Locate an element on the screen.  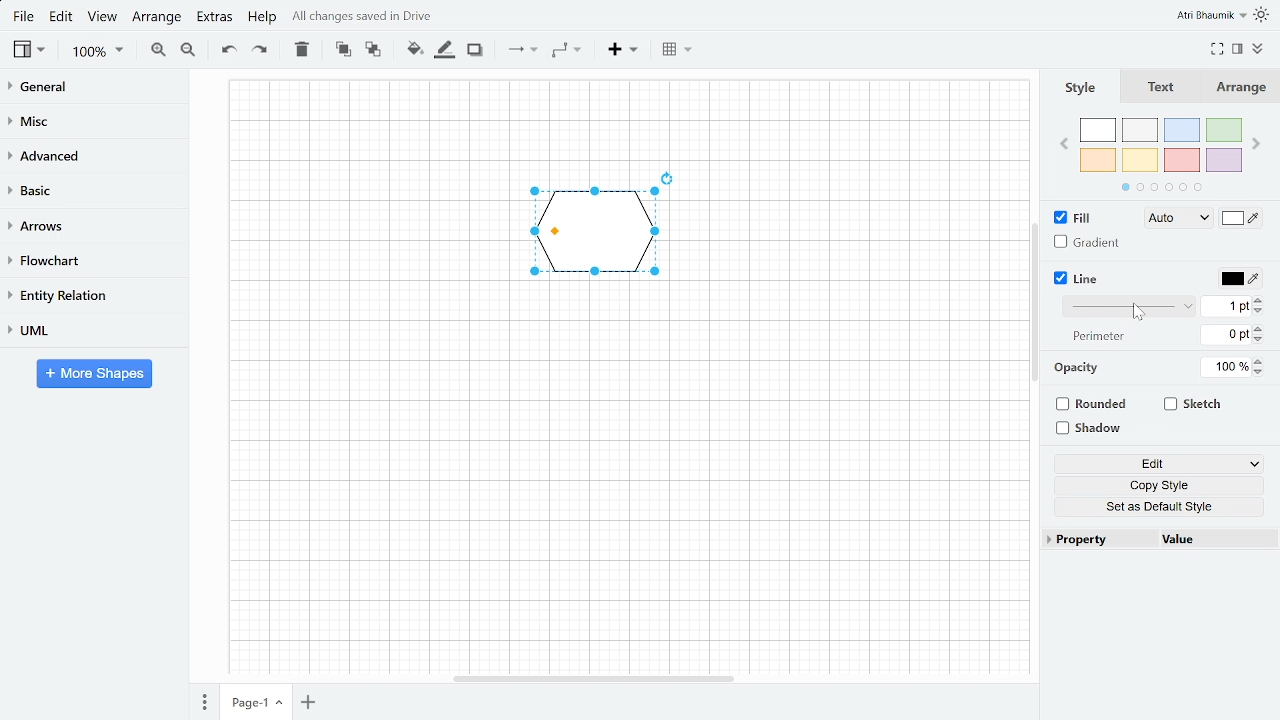
Indicates light theme is located at coordinates (1264, 16).